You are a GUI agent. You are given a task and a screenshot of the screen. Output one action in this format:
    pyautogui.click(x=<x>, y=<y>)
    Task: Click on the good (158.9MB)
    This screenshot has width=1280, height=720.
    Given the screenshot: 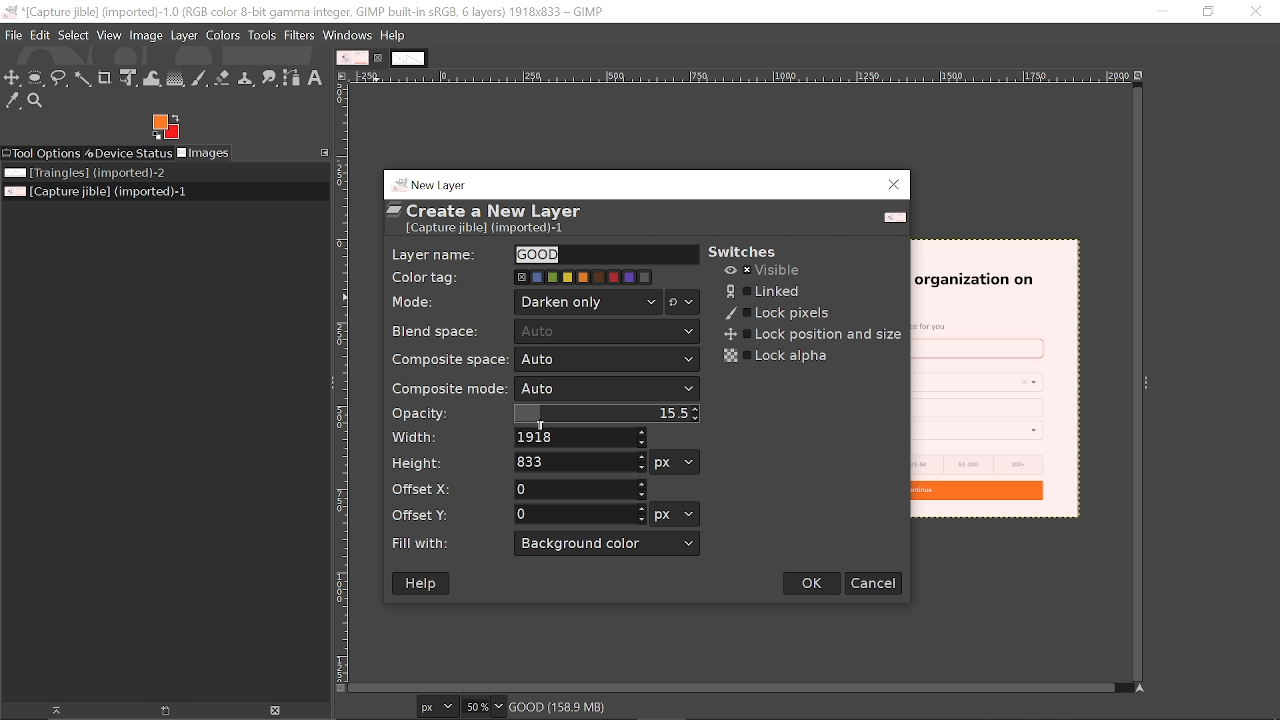 What is the action you would take?
    pyautogui.click(x=585, y=705)
    